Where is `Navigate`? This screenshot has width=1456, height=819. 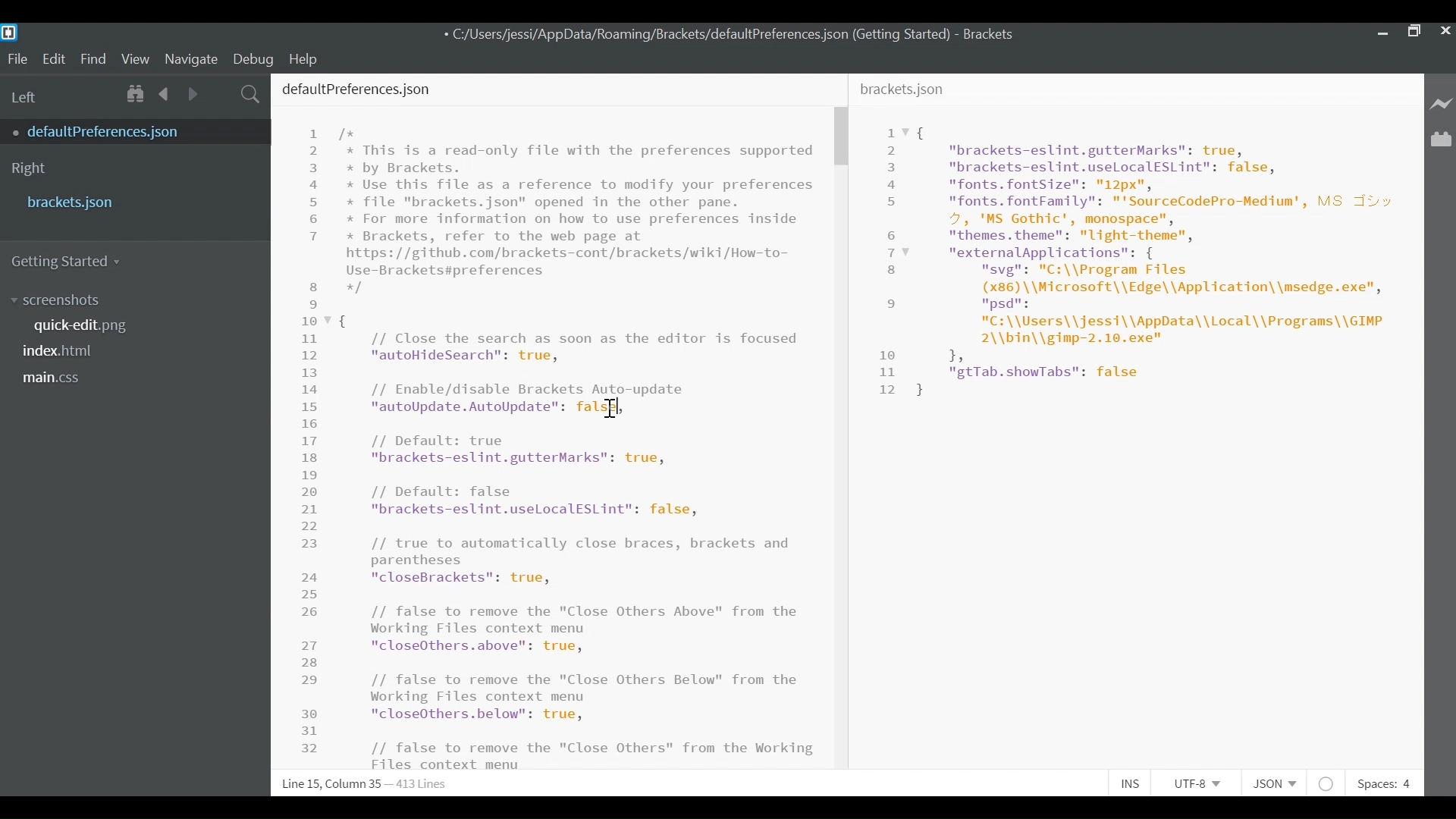
Navigate is located at coordinates (192, 58).